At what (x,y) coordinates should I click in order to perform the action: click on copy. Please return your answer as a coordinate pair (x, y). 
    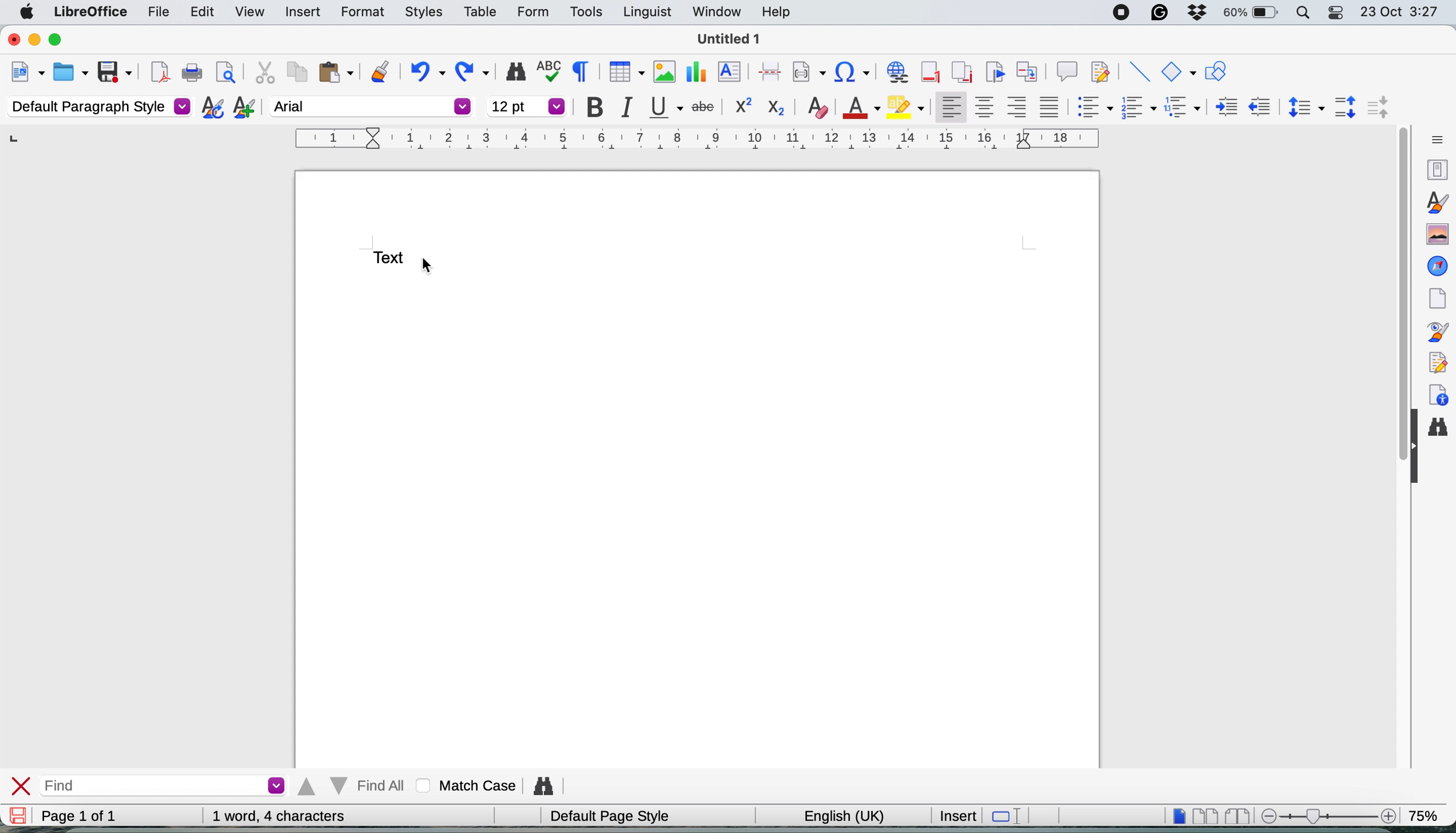
    Looking at the image, I should click on (296, 74).